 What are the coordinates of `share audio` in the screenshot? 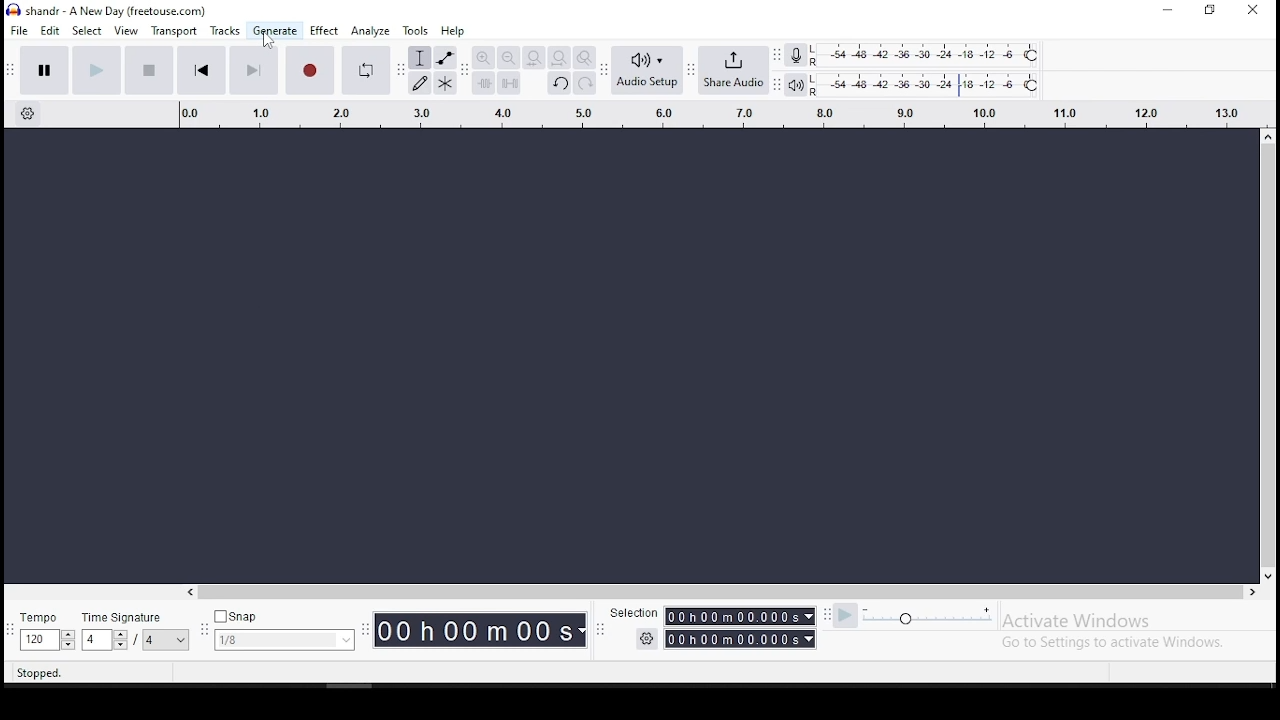 It's located at (733, 69).